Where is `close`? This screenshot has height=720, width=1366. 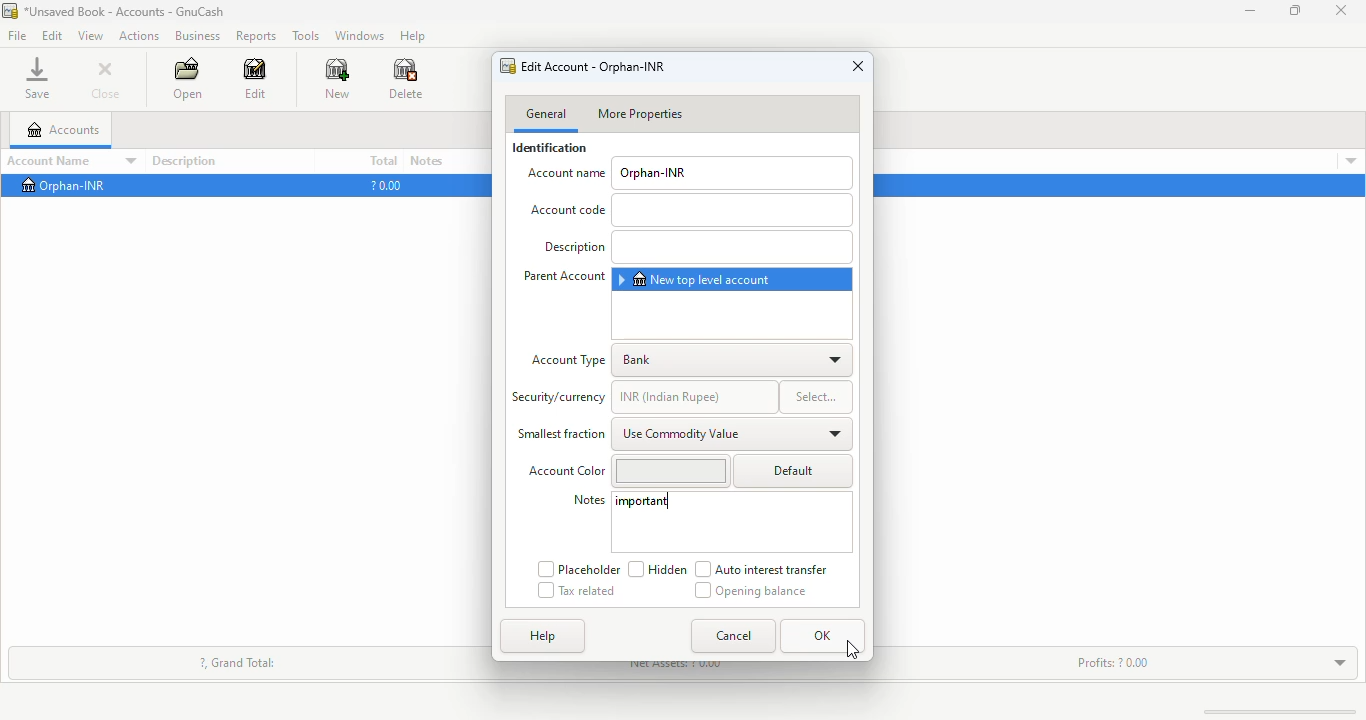 close is located at coordinates (105, 80).